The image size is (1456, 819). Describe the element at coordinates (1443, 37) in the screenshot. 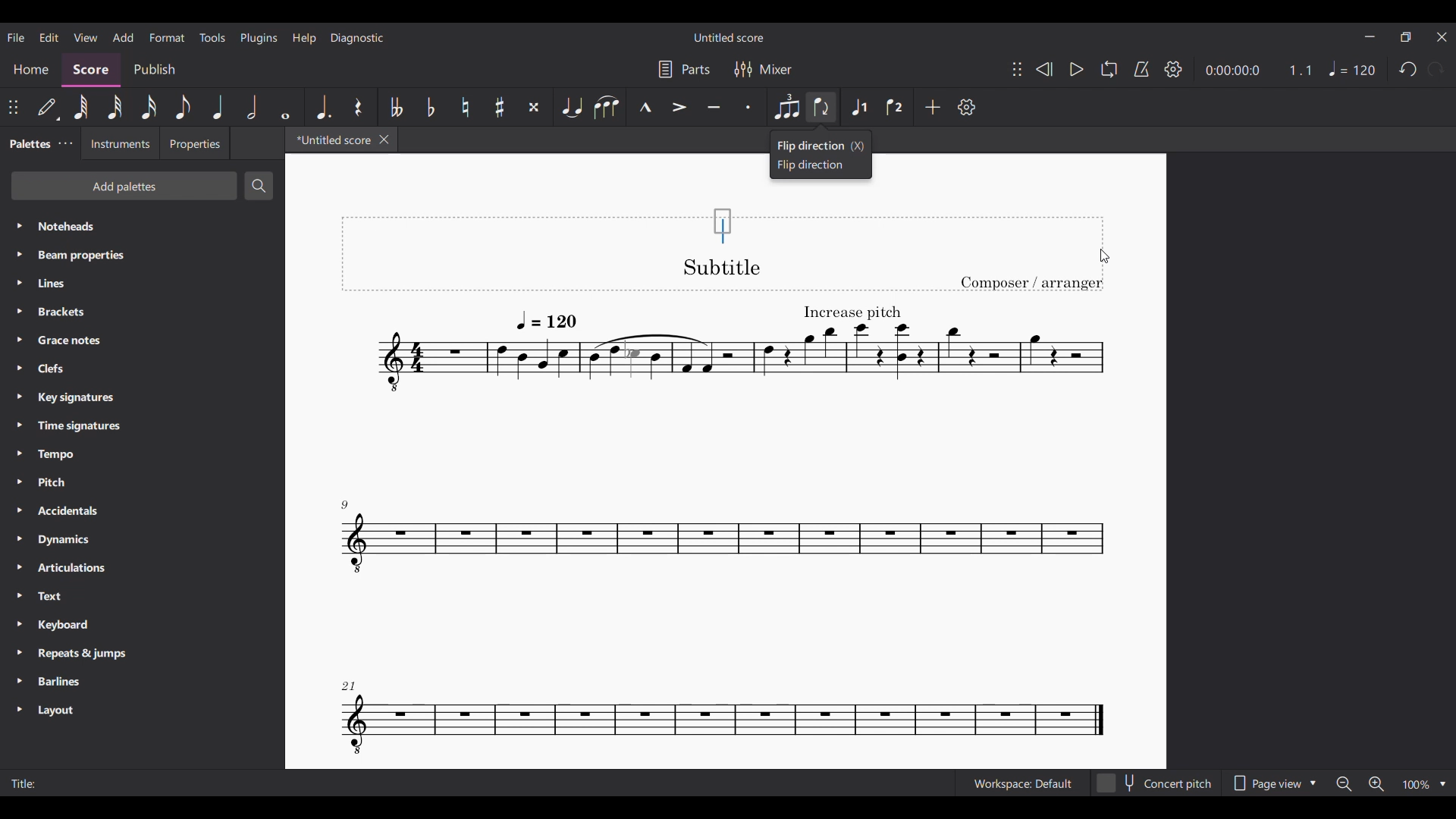

I see `Close interface` at that location.